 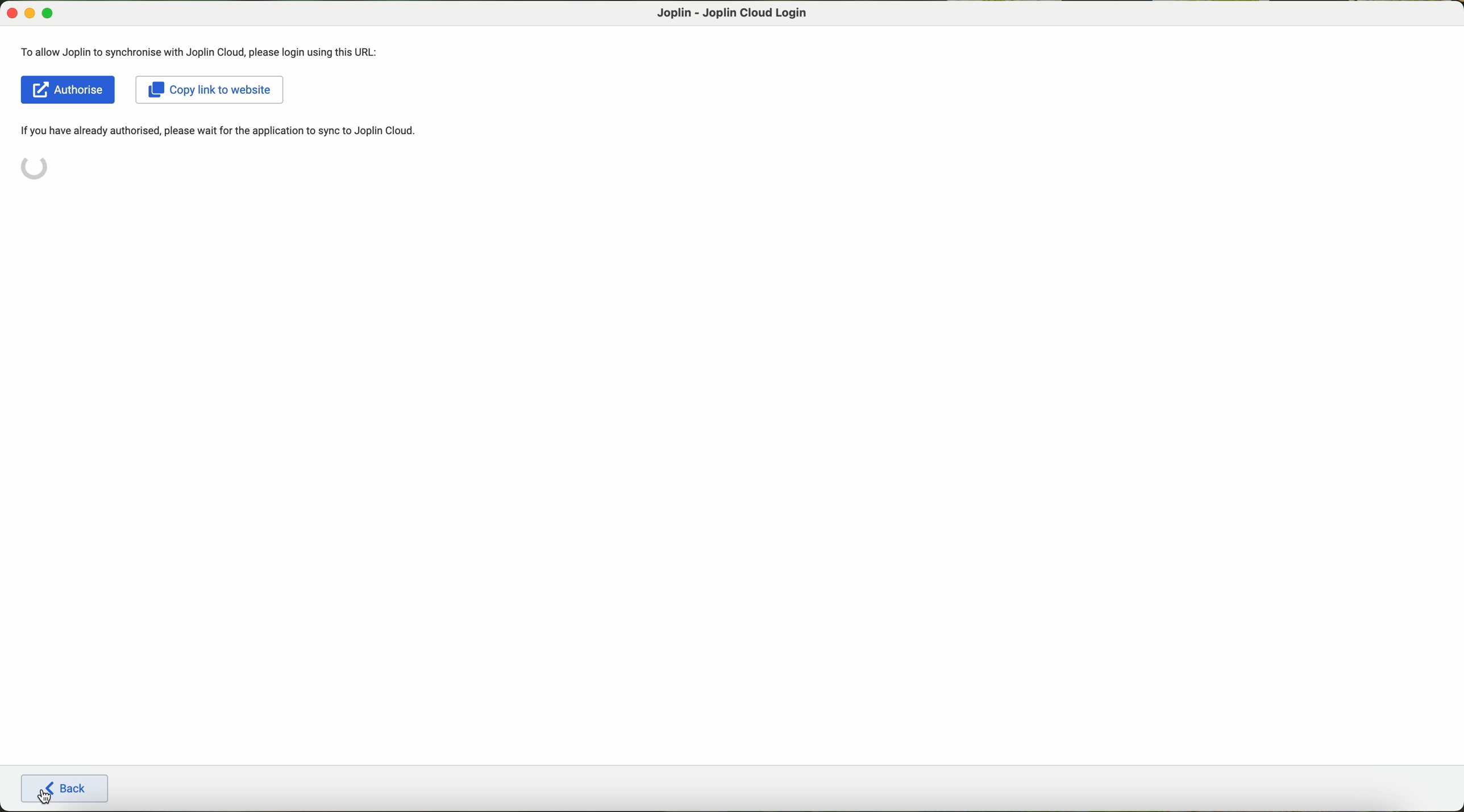 What do you see at coordinates (732, 12) in the screenshot?
I see `Joplin - Joplin Cloud login` at bounding box center [732, 12].